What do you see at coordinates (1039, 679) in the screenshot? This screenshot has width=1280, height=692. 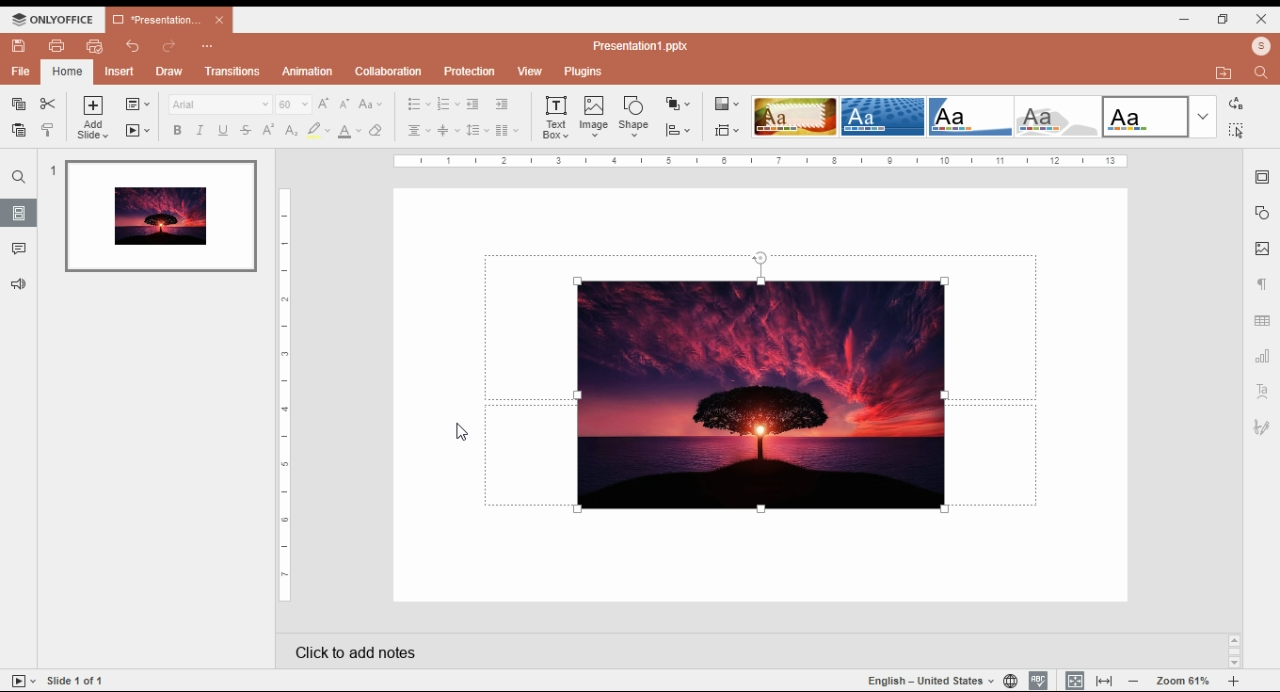 I see `spell check` at bounding box center [1039, 679].